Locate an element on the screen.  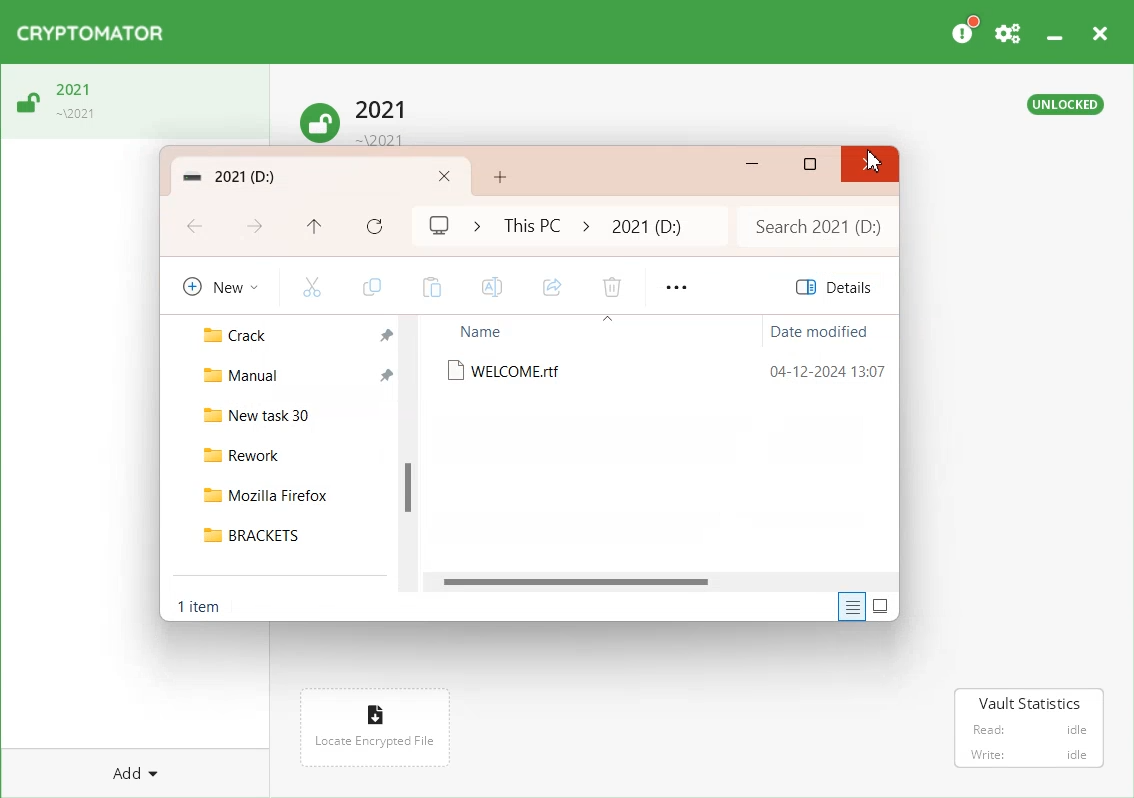
Rename is located at coordinates (492, 286).